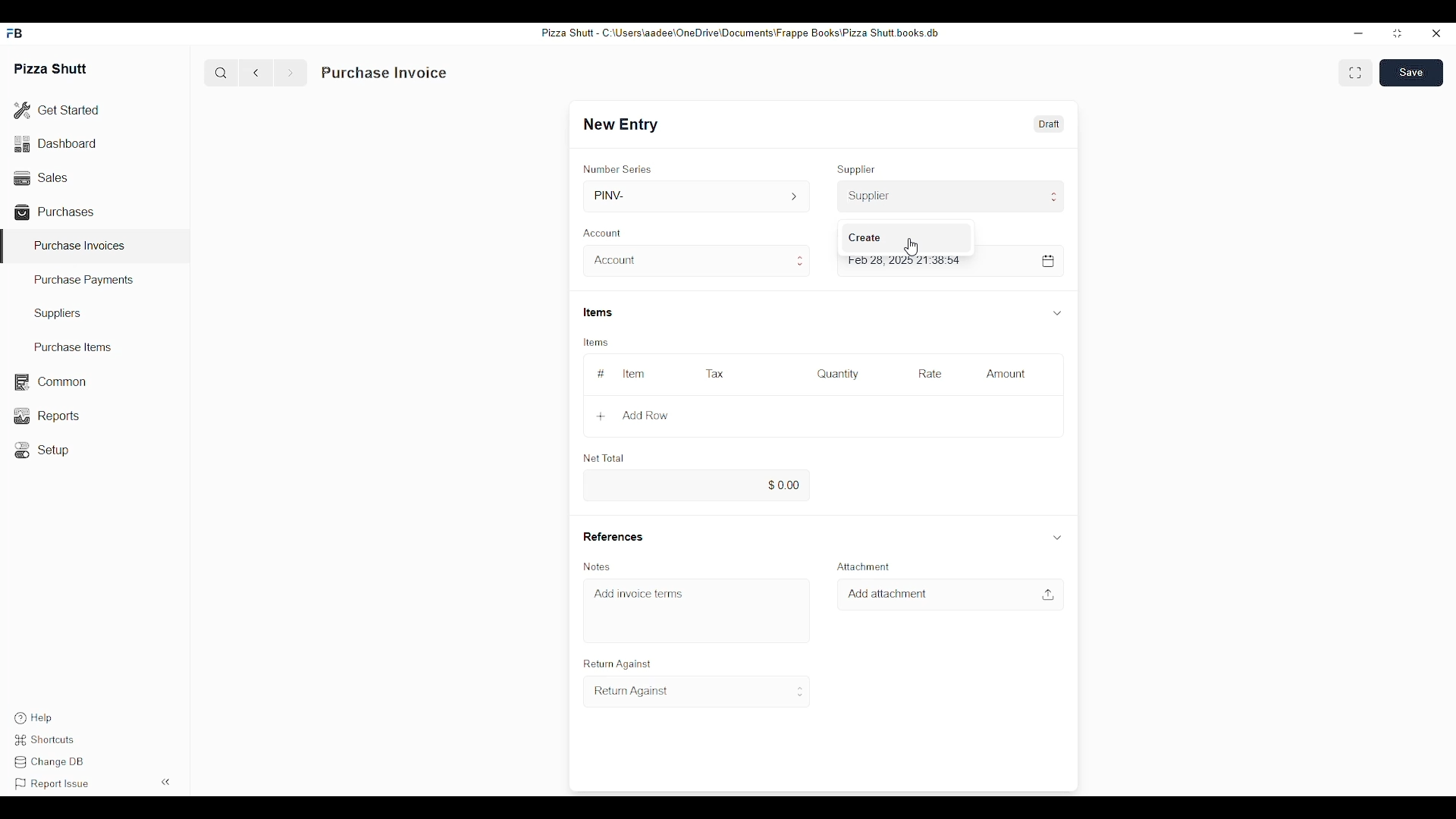  Describe the element at coordinates (57, 111) in the screenshot. I see `Get Started` at that location.